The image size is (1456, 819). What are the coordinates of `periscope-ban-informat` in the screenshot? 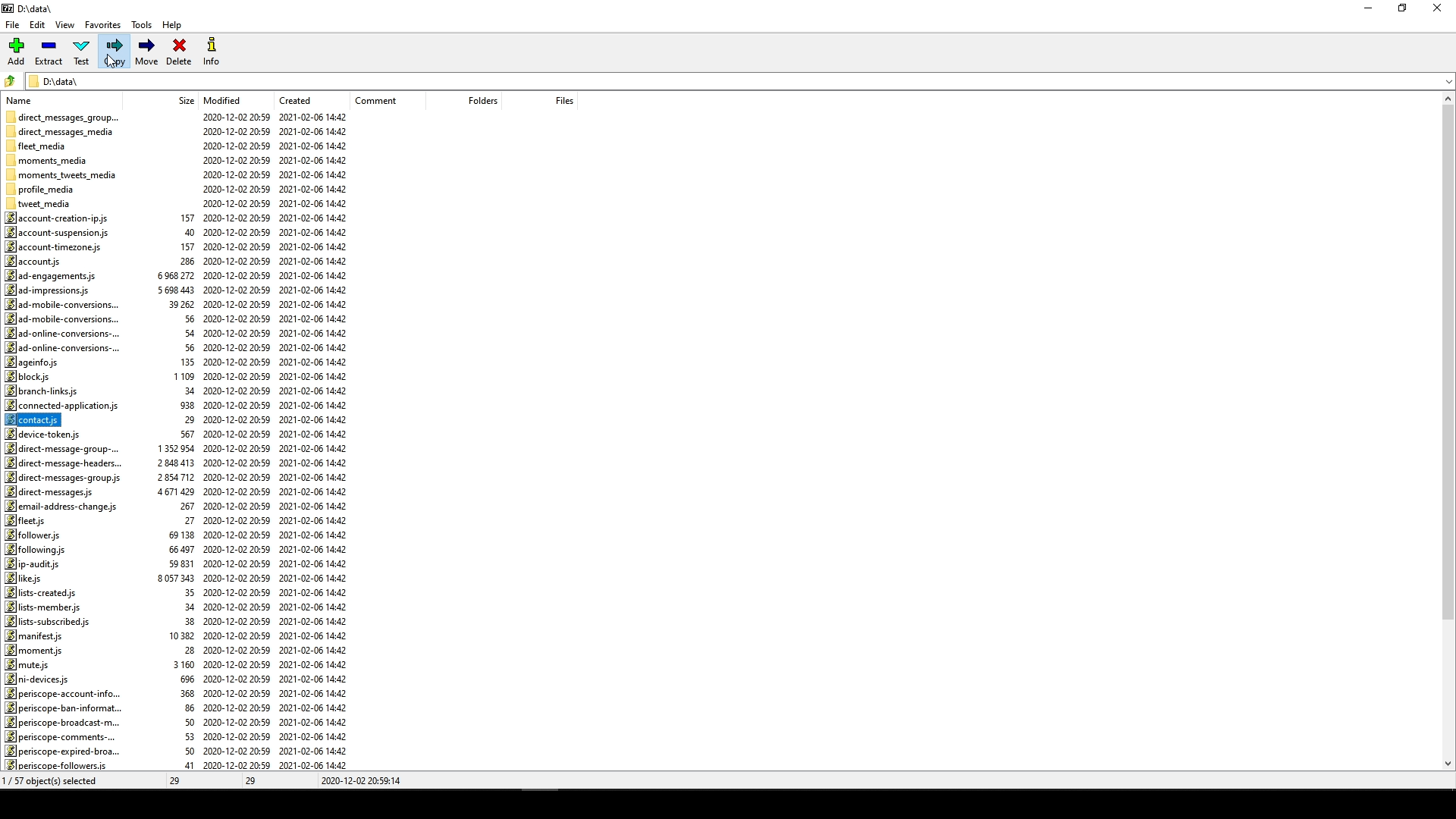 It's located at (69, 707).